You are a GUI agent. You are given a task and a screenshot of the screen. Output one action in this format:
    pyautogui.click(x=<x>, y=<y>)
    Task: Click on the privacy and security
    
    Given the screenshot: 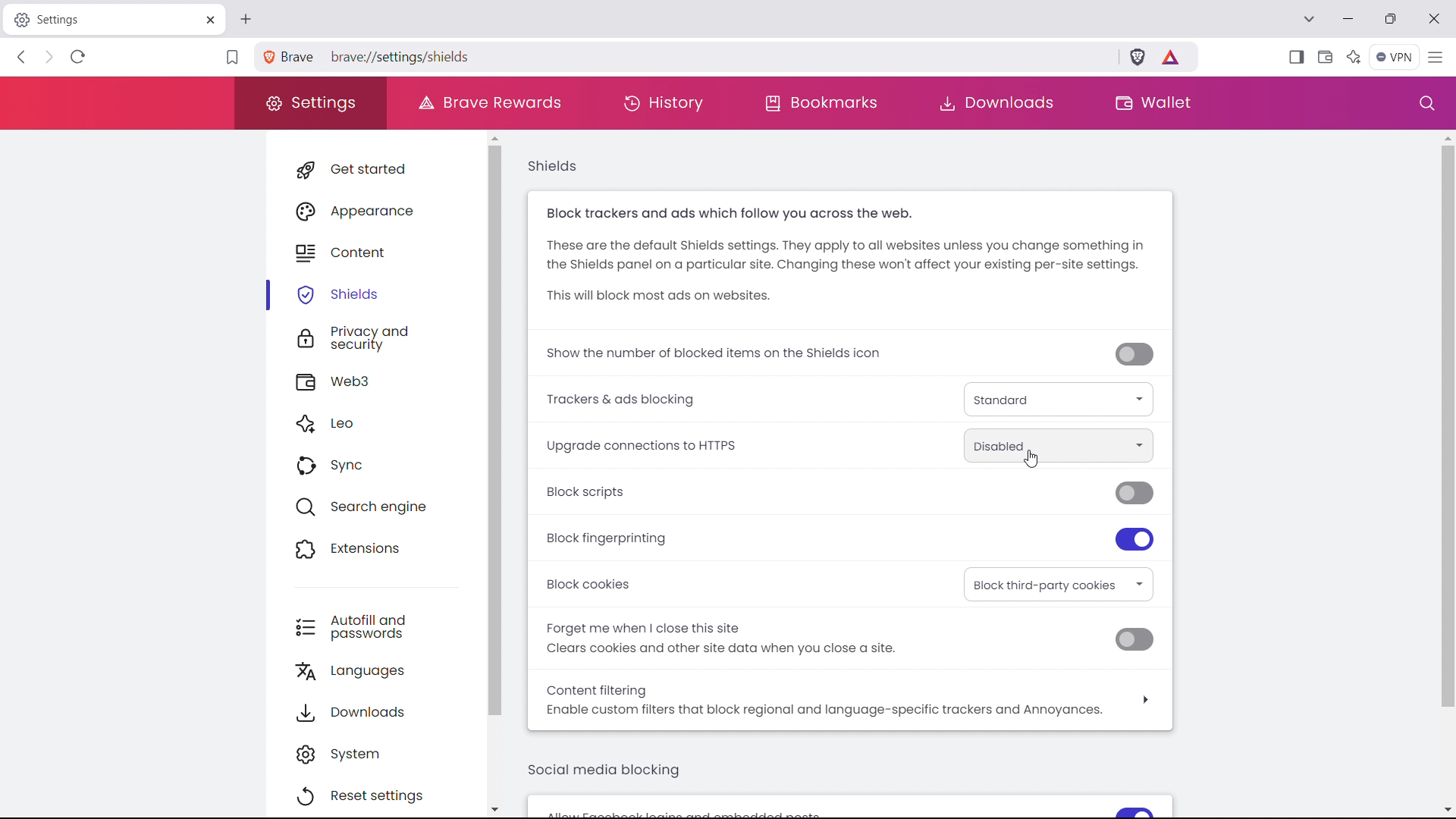 What is the action you would take?
    pyautogui.click(x=384, y=337)
    